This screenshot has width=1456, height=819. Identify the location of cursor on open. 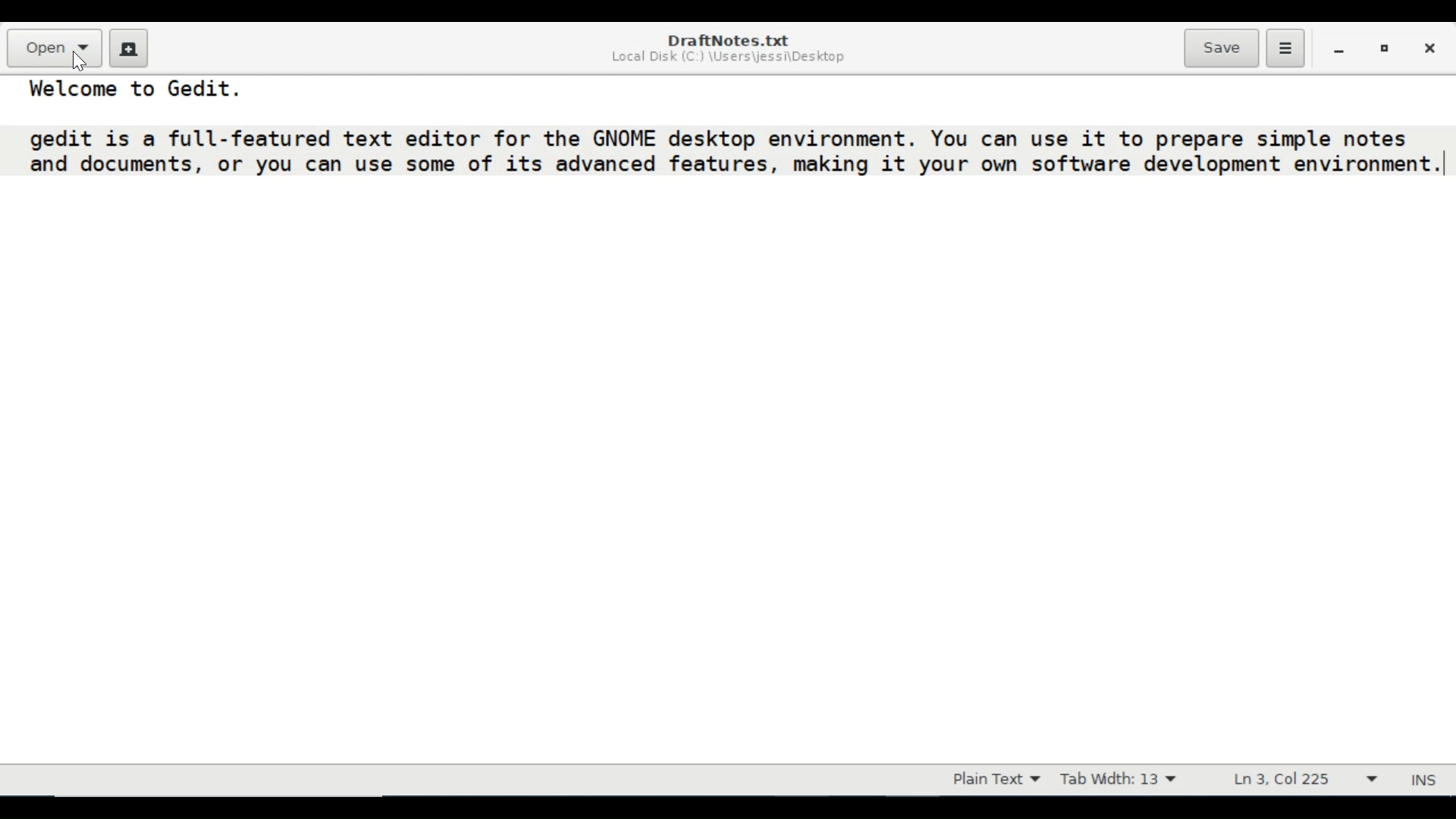
(80, 61).